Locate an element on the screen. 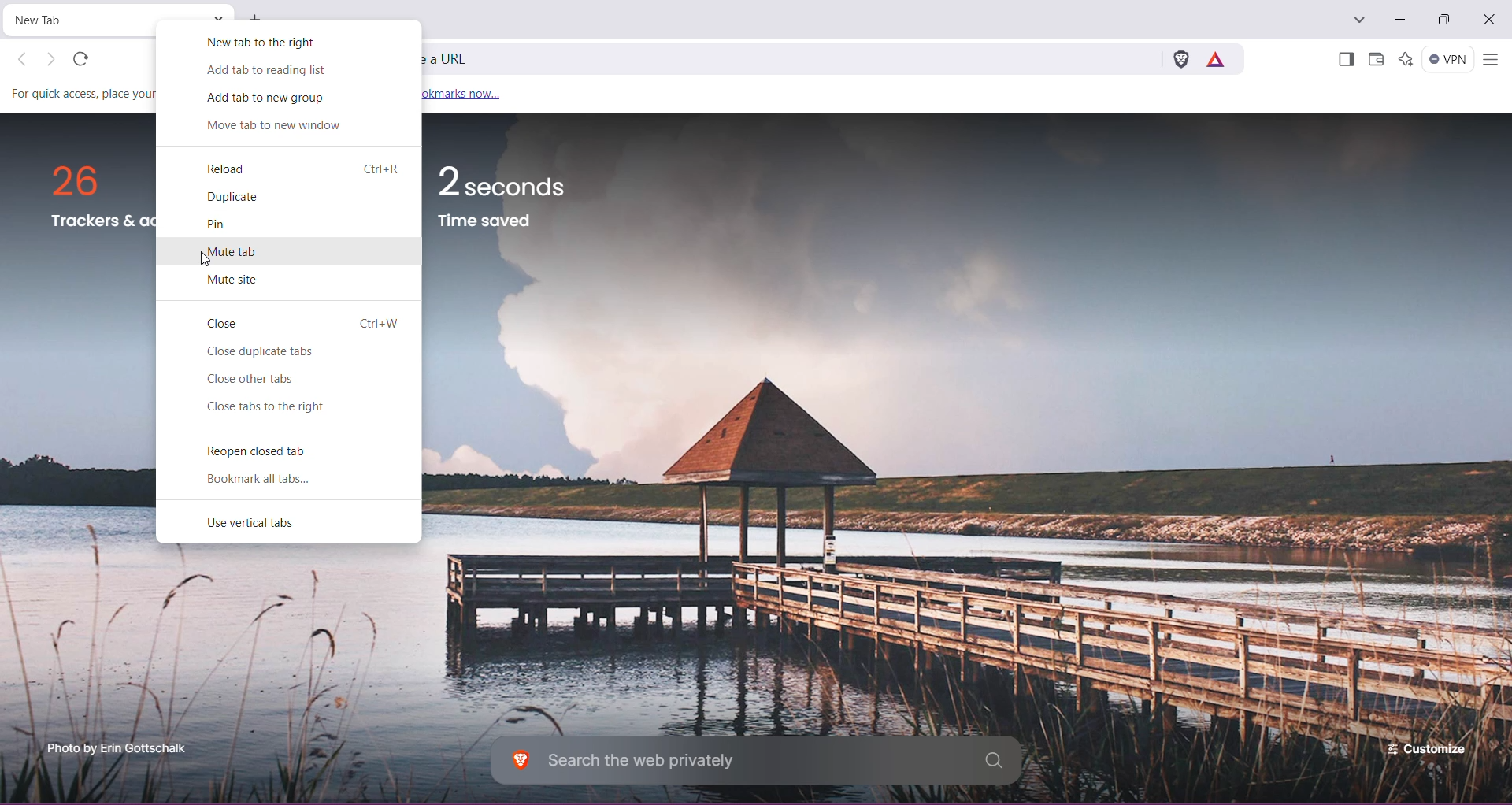 The height and width of the screenshot is (805, 1512). Earn rewards for private ads you see in Brave is located at coordinates (1217, 60).